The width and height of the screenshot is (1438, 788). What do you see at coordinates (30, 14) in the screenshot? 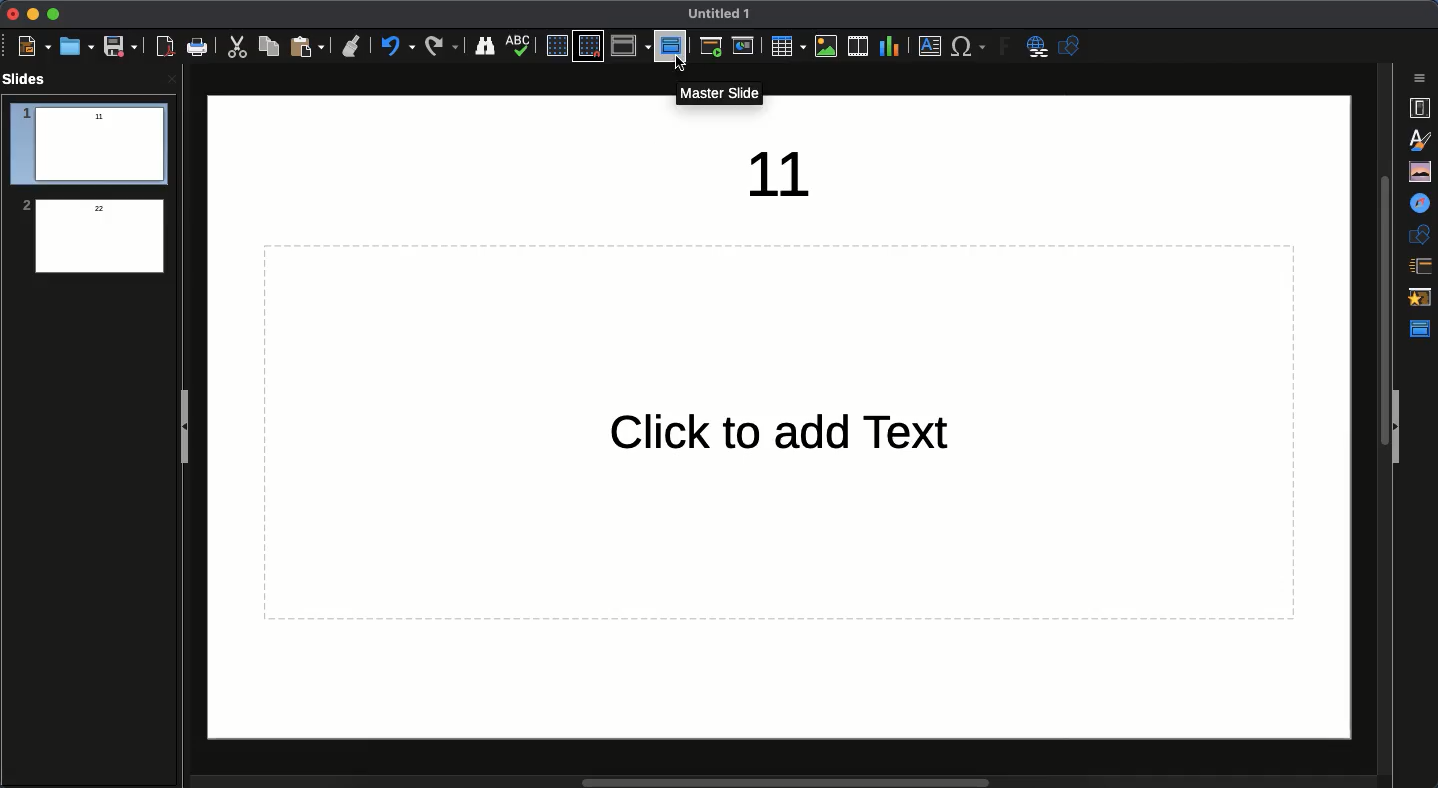
I see `Minimize` at bounding box center [30, 14].